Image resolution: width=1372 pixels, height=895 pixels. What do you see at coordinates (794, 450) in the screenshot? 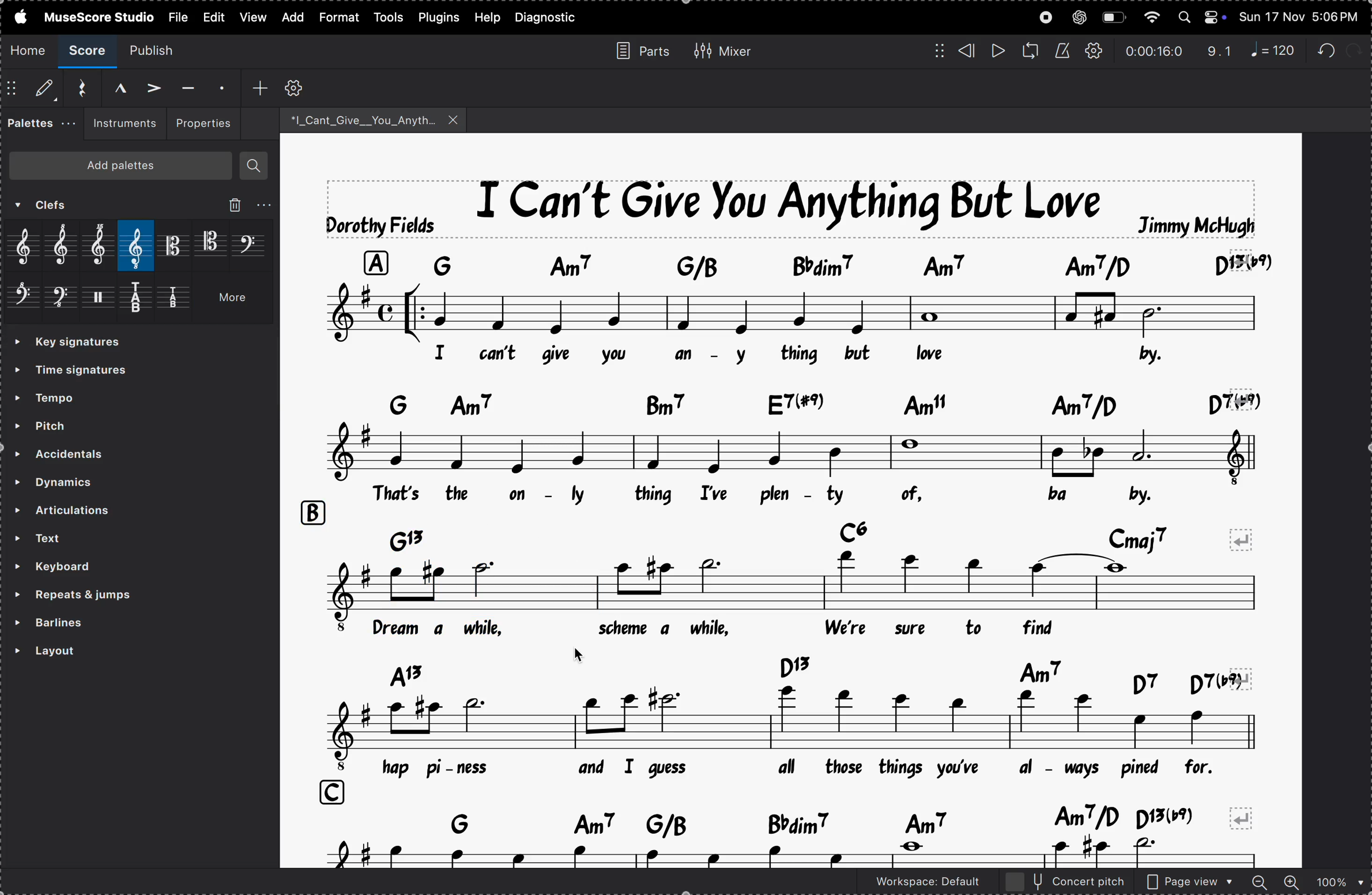
I see `notes` at bounding box center [794, 450].